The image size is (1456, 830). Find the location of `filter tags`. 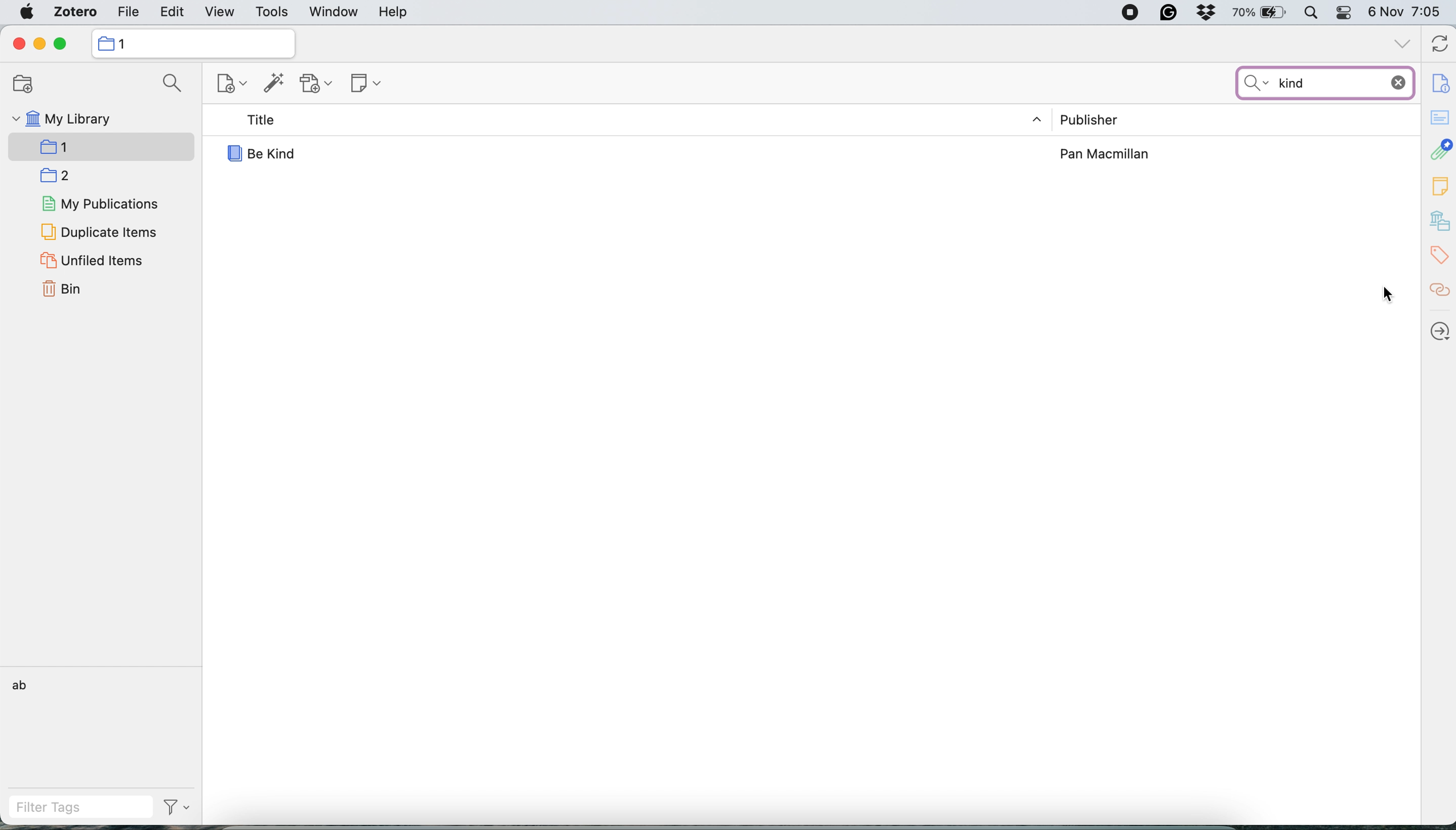

filter tags is located at coordinates (80, 805).